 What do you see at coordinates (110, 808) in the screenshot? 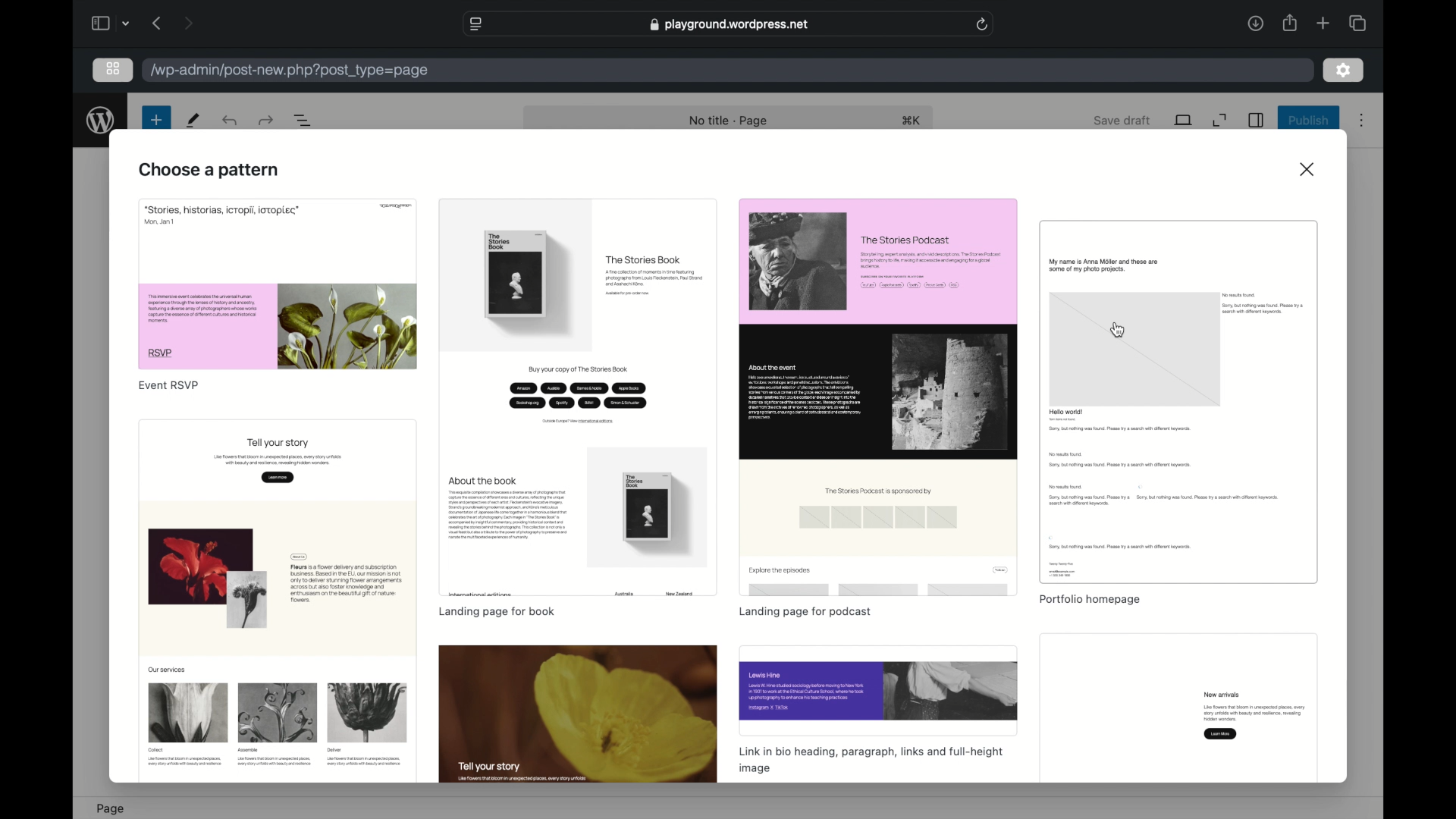
I see `page` at bounding box center [110, 808].